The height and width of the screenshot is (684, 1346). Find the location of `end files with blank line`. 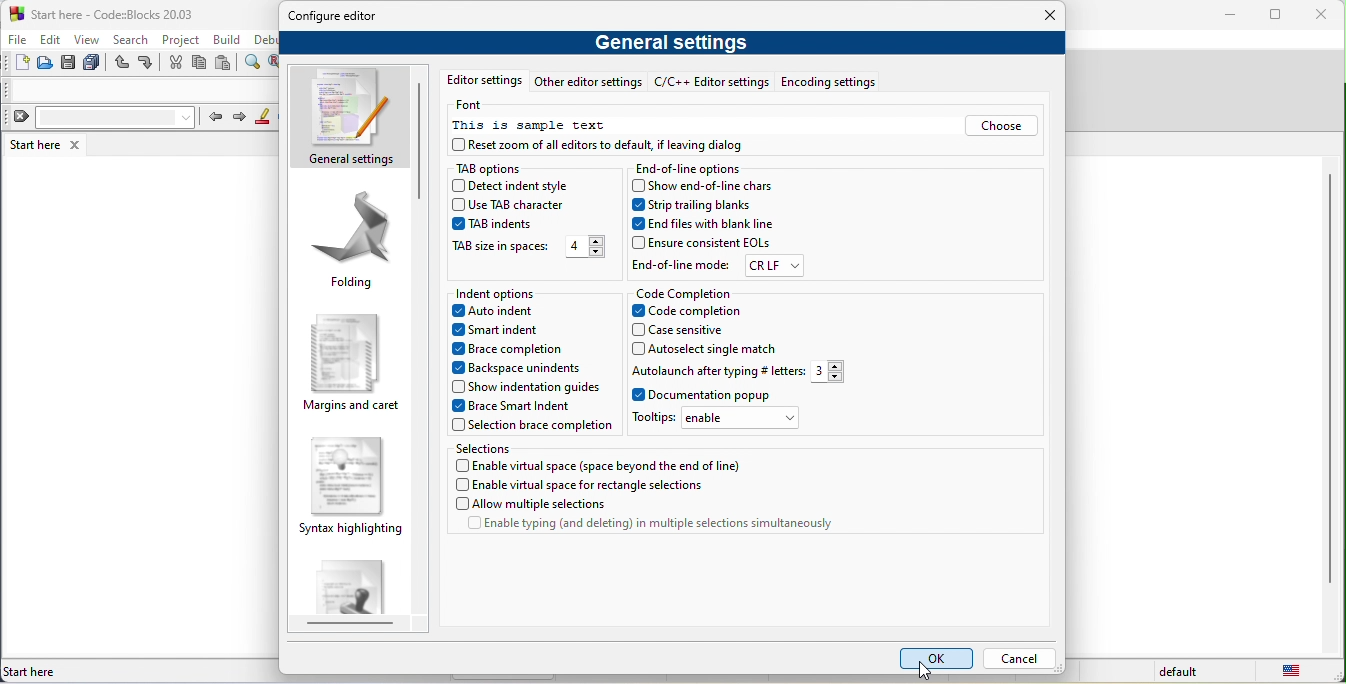

end files with blank line is located at coordinates (703, 221).